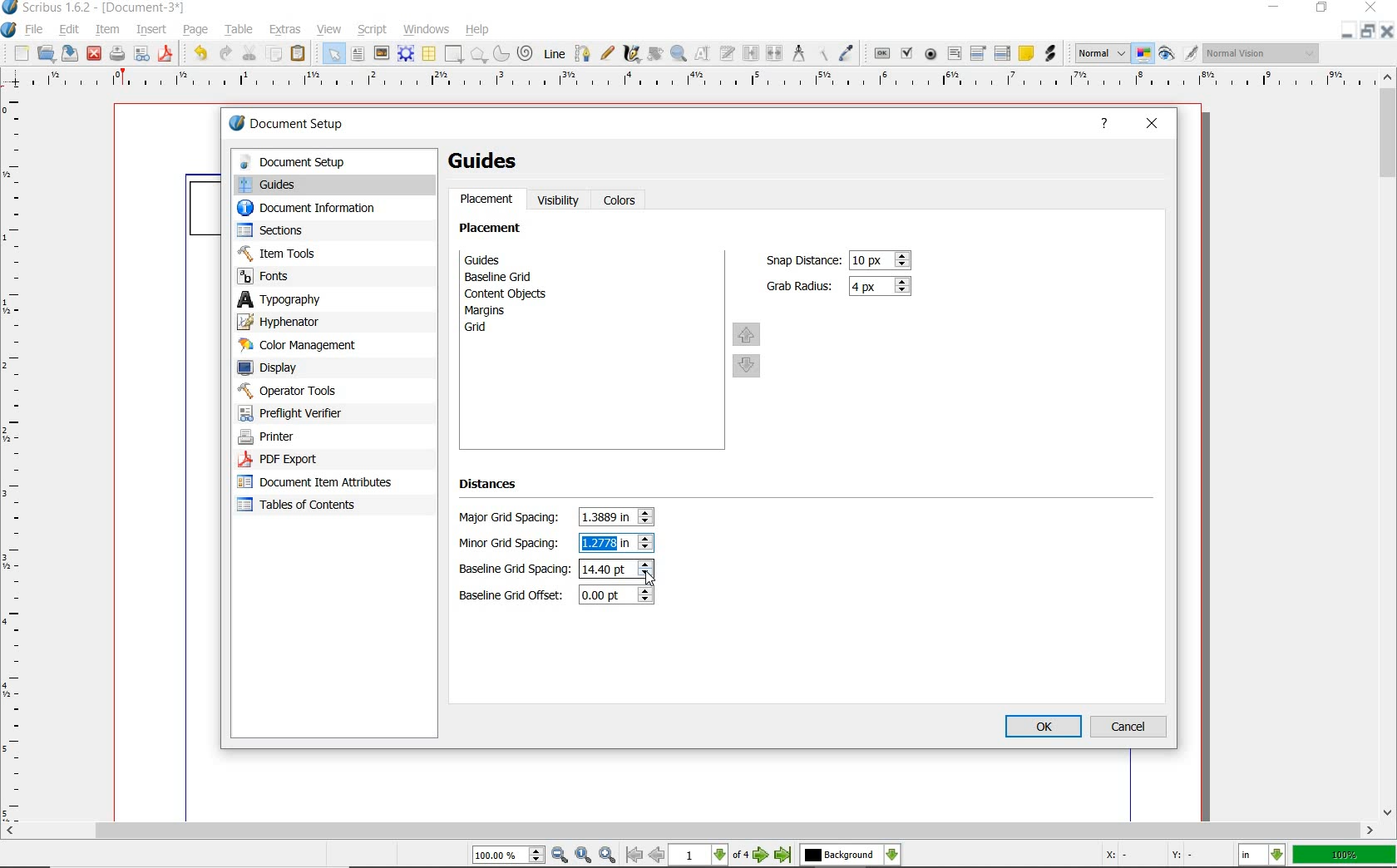 Image resolution: width=1397 pixels, height=868 pixels. Describe the element at coordinates (335, 57) in the screenshot. I see `select` at that location.